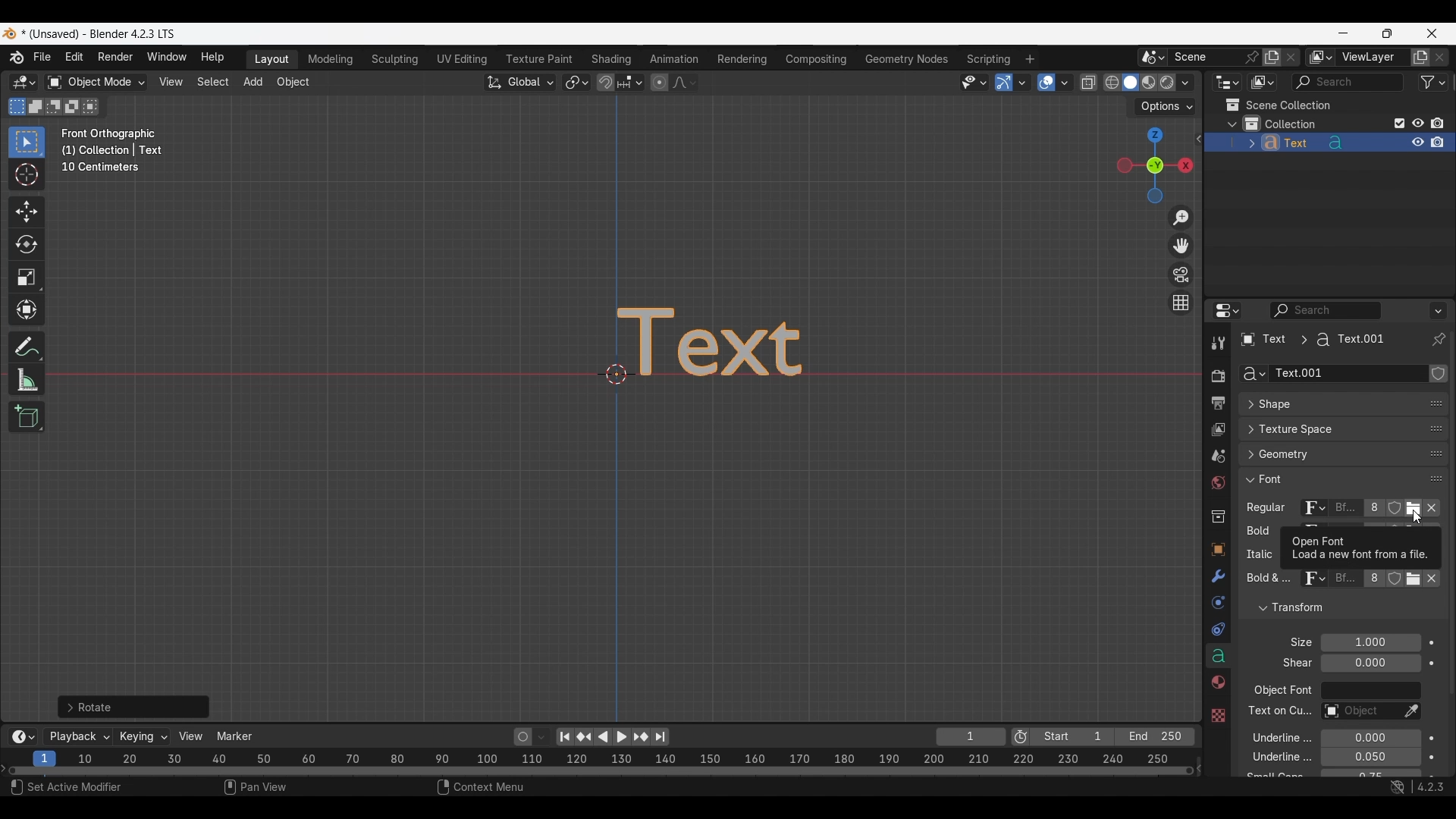 Image resolution: width=1456 pixels, height=819 pixels. What do you see at coordinates (1064, 83) in the screenshot?
I see `Overlays` at bounding box center [1064, 83].